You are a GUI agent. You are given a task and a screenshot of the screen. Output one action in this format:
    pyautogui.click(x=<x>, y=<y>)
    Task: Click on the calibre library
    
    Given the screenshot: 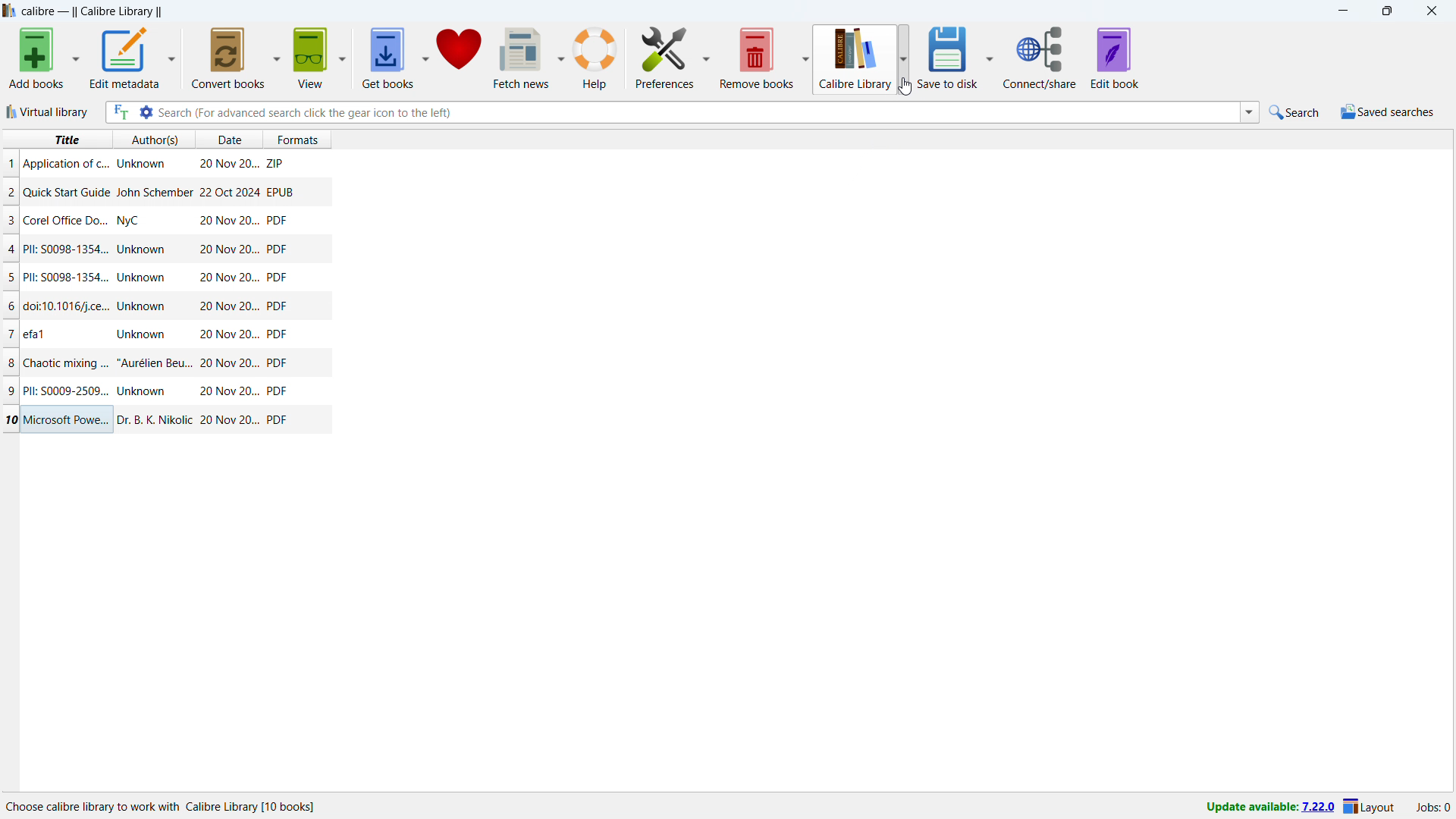 What is the action you would take?
    pyautogui.click(x=852, y=60)
    